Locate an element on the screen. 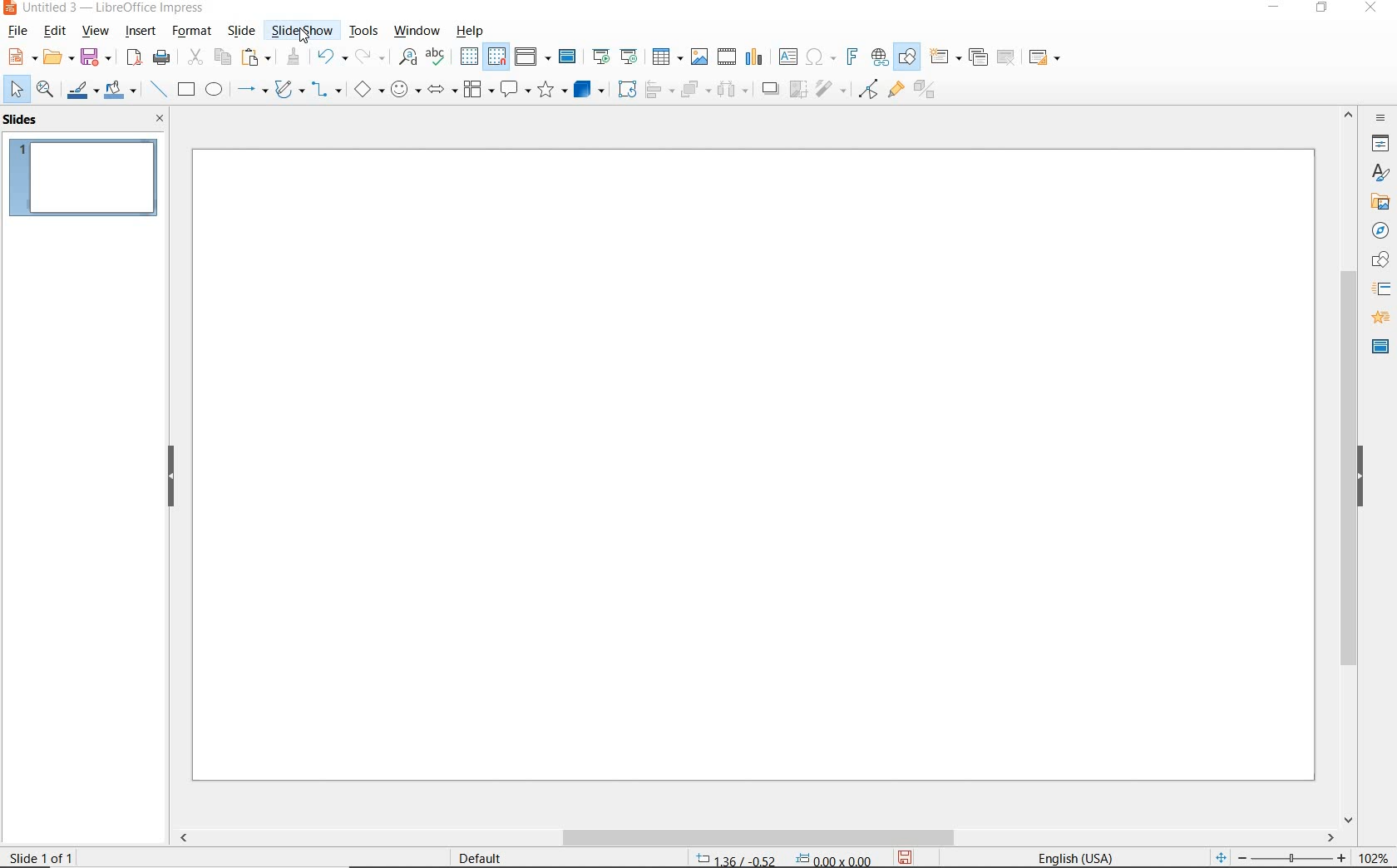  SELECT is located at coordinates (13, 88).